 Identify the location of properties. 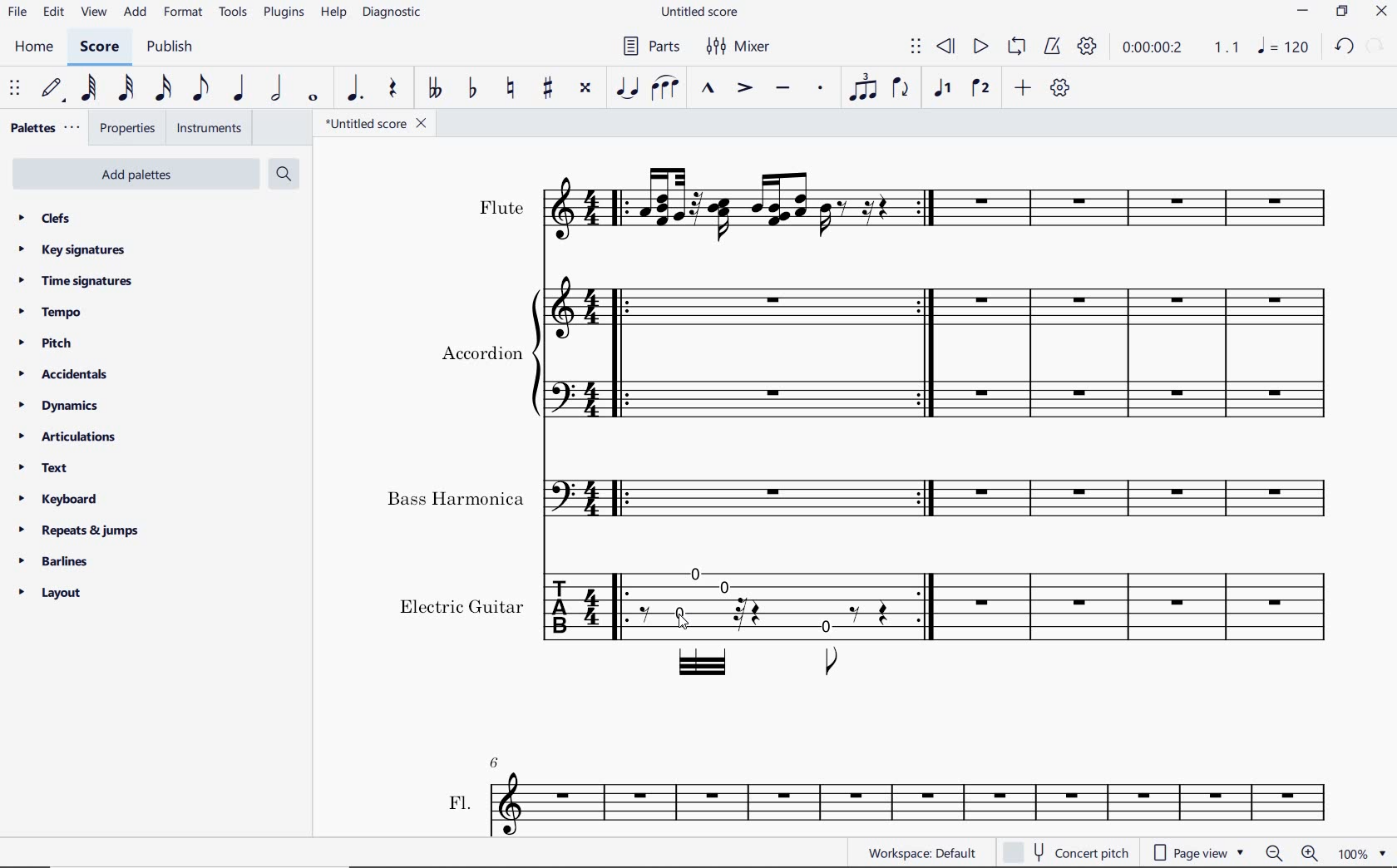
(126, 131).